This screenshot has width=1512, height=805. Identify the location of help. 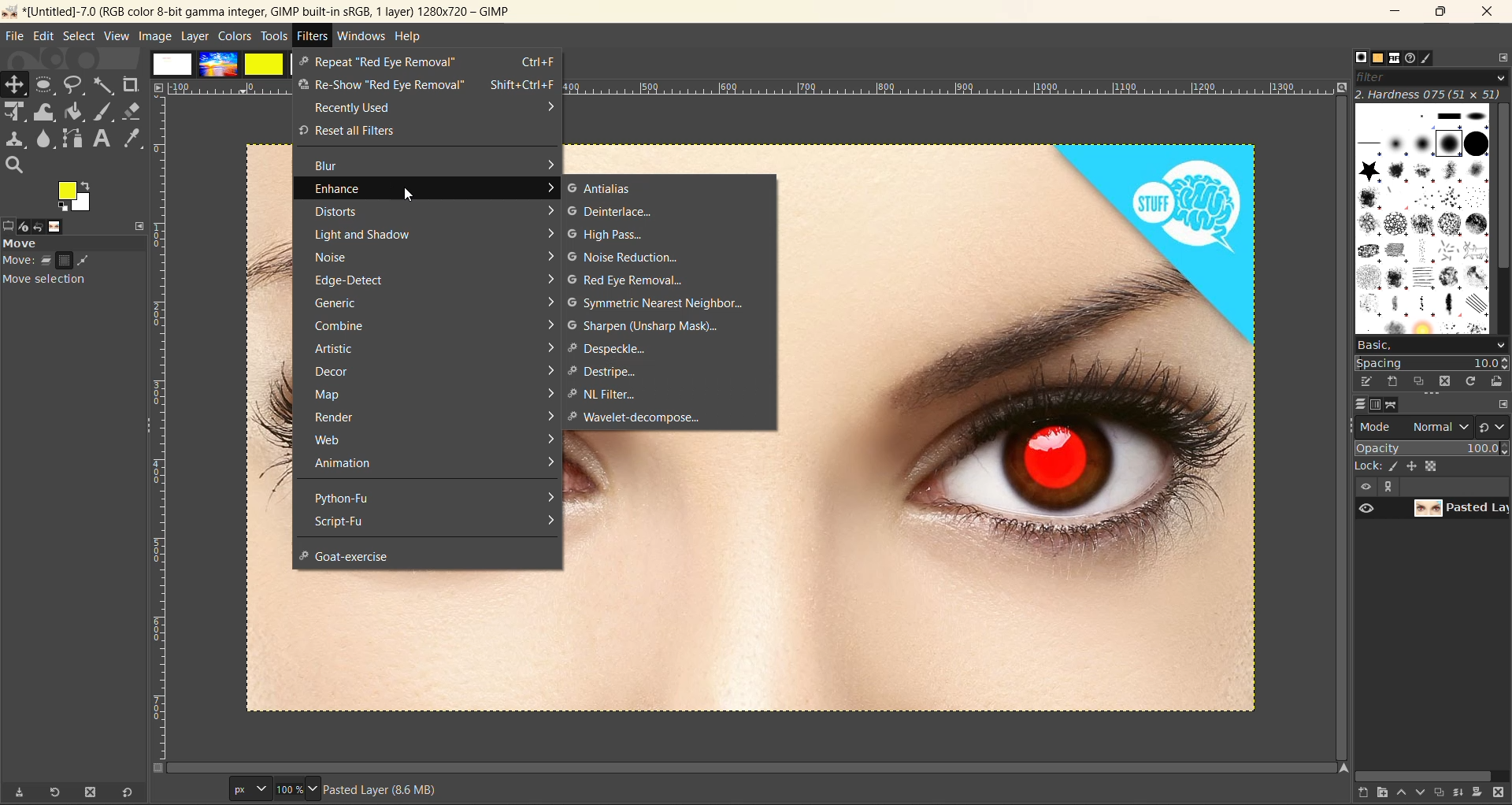
(409, 36).